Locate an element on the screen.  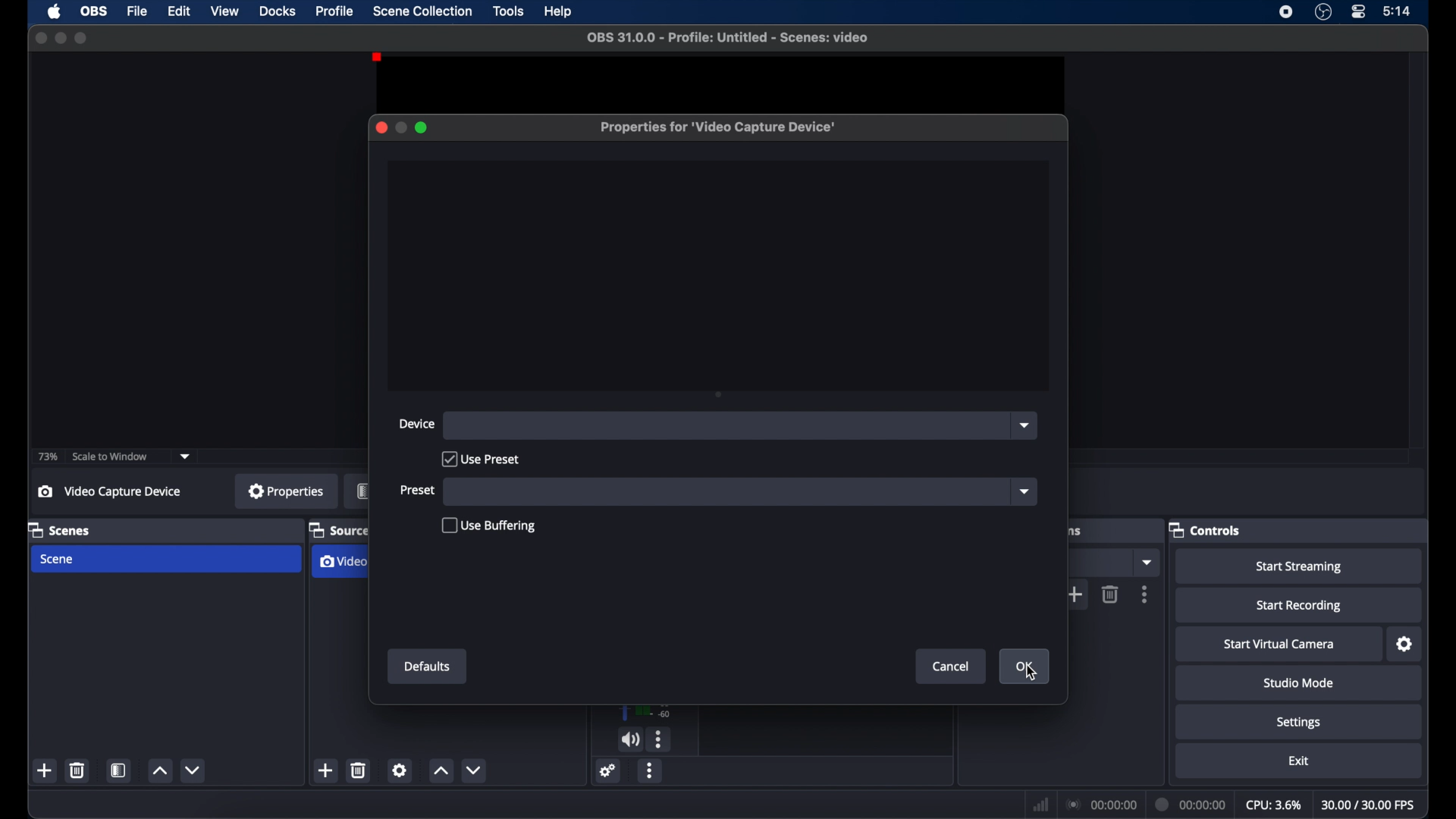
help is located at coordinates (559, 11).